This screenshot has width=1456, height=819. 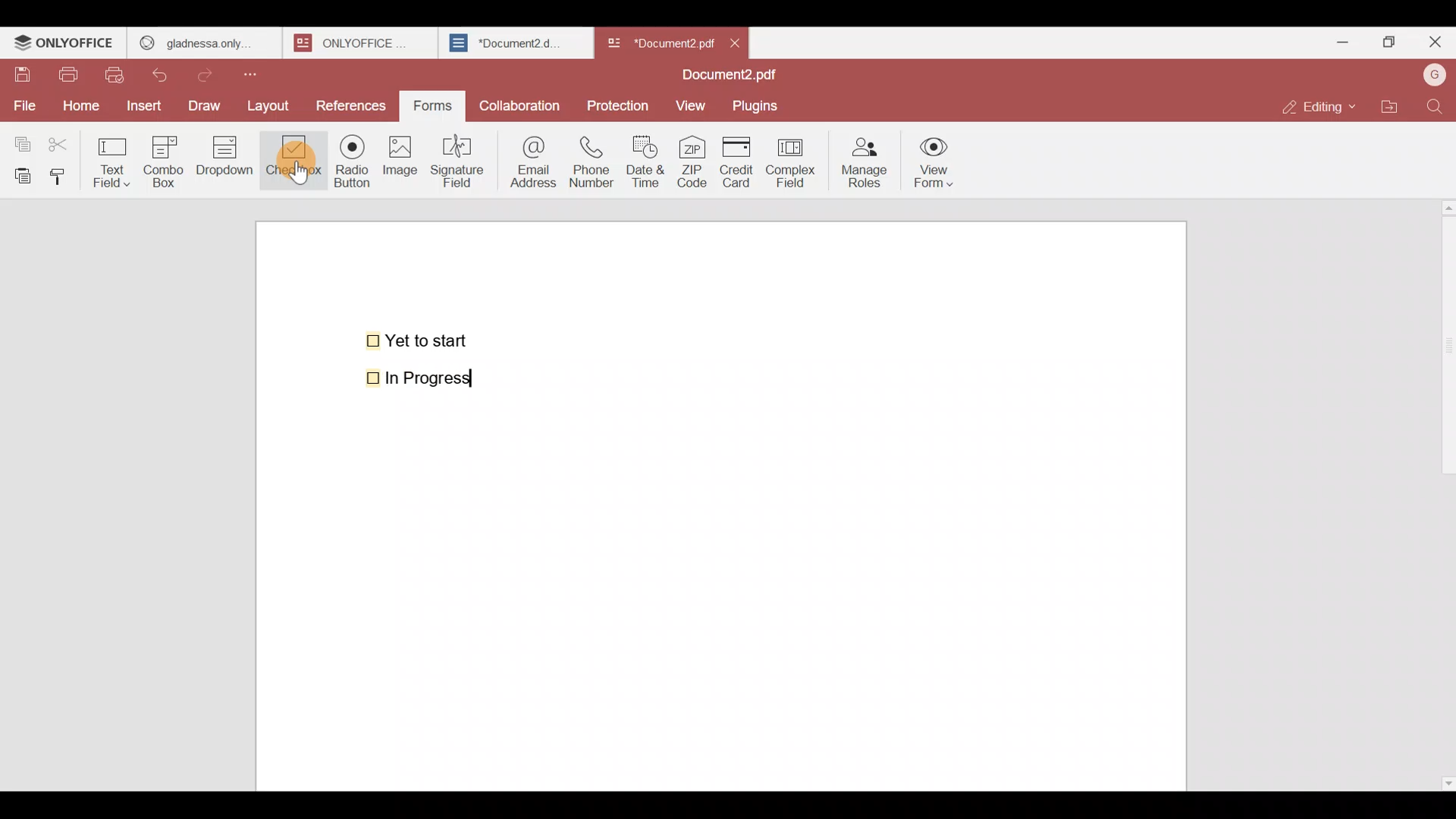 What do you see at coordinates (789, 164) in the screenshot?
I see `Complex field` at bounding box center [789, 164].